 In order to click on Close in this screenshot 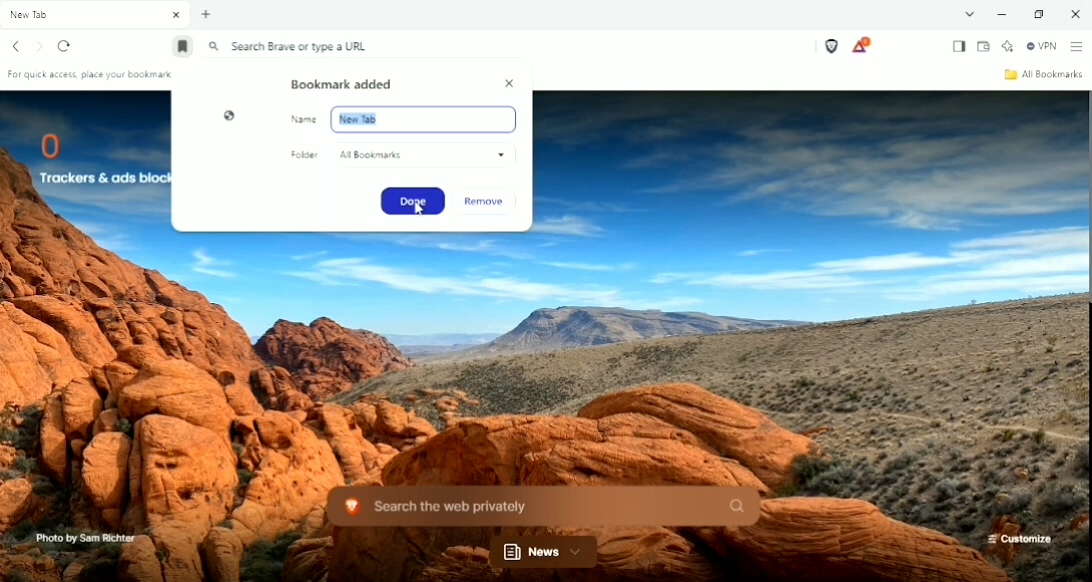, I will do `click(510, 83)`.